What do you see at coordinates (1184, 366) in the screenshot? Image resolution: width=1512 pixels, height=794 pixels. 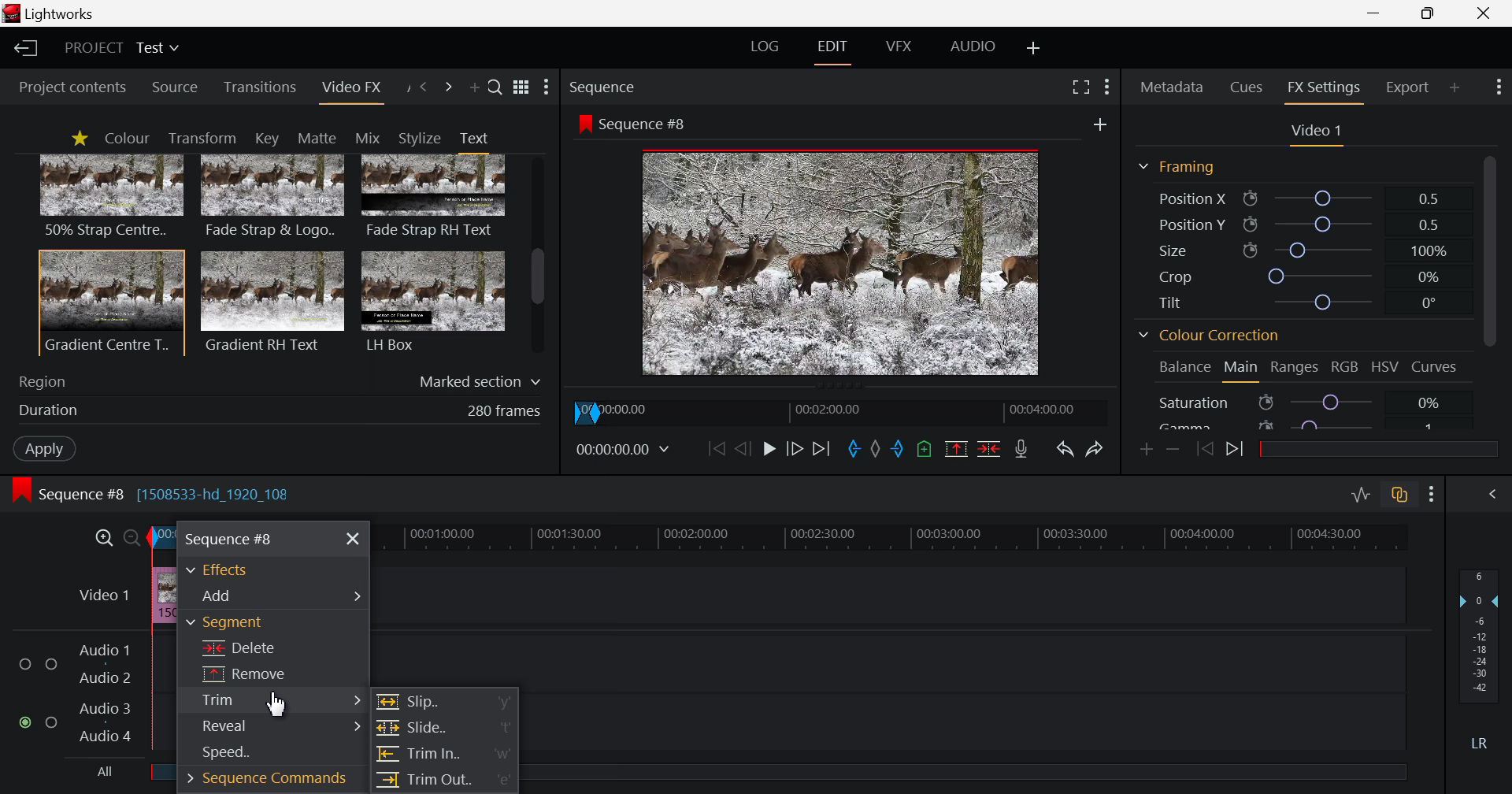 I see `Balance` at bounding box center [1184, 366].